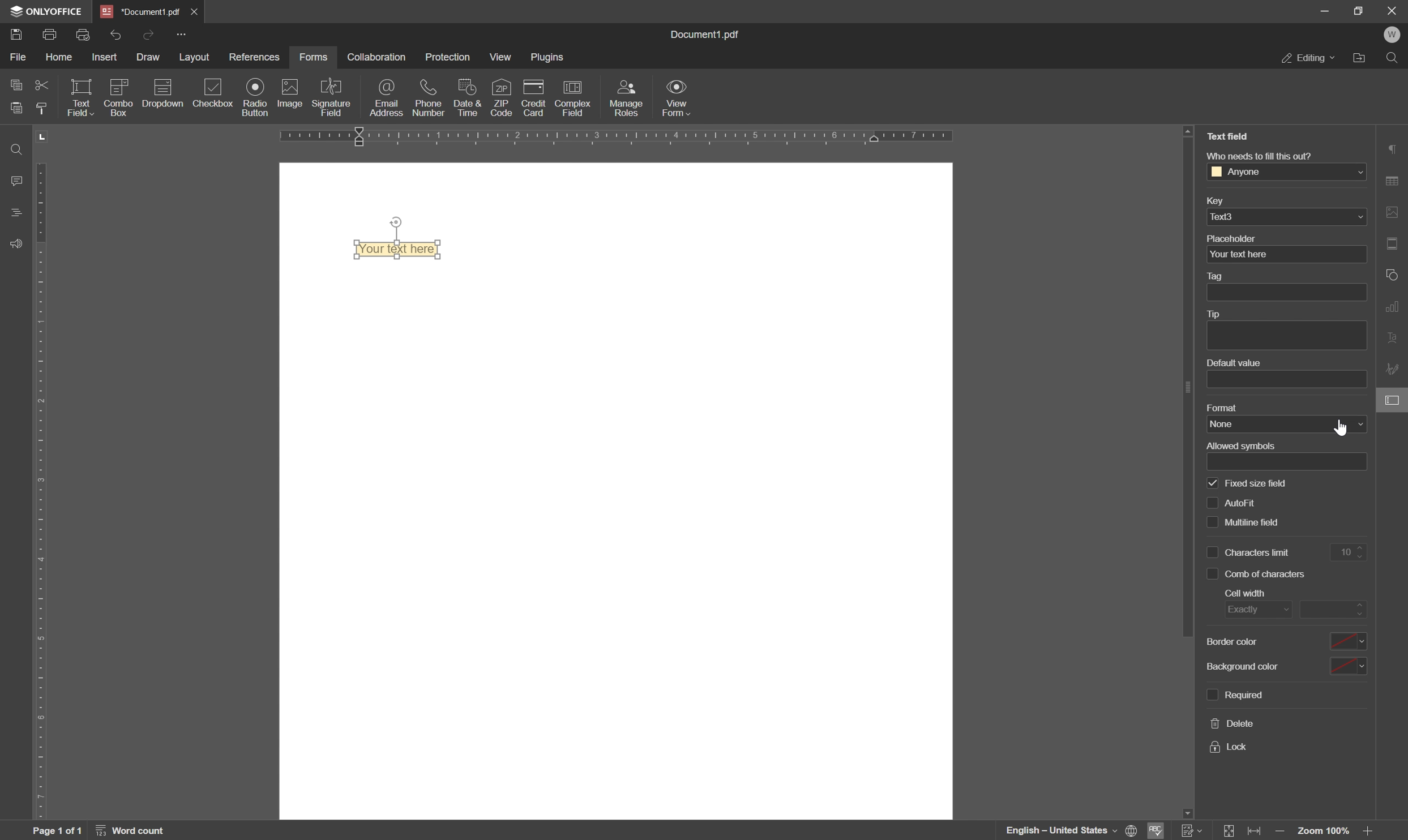 This screenshot has width=1408, height=840. Describe the element at coordinates (1257, 484) in the screenshot. I see `fixed size field` at that location.